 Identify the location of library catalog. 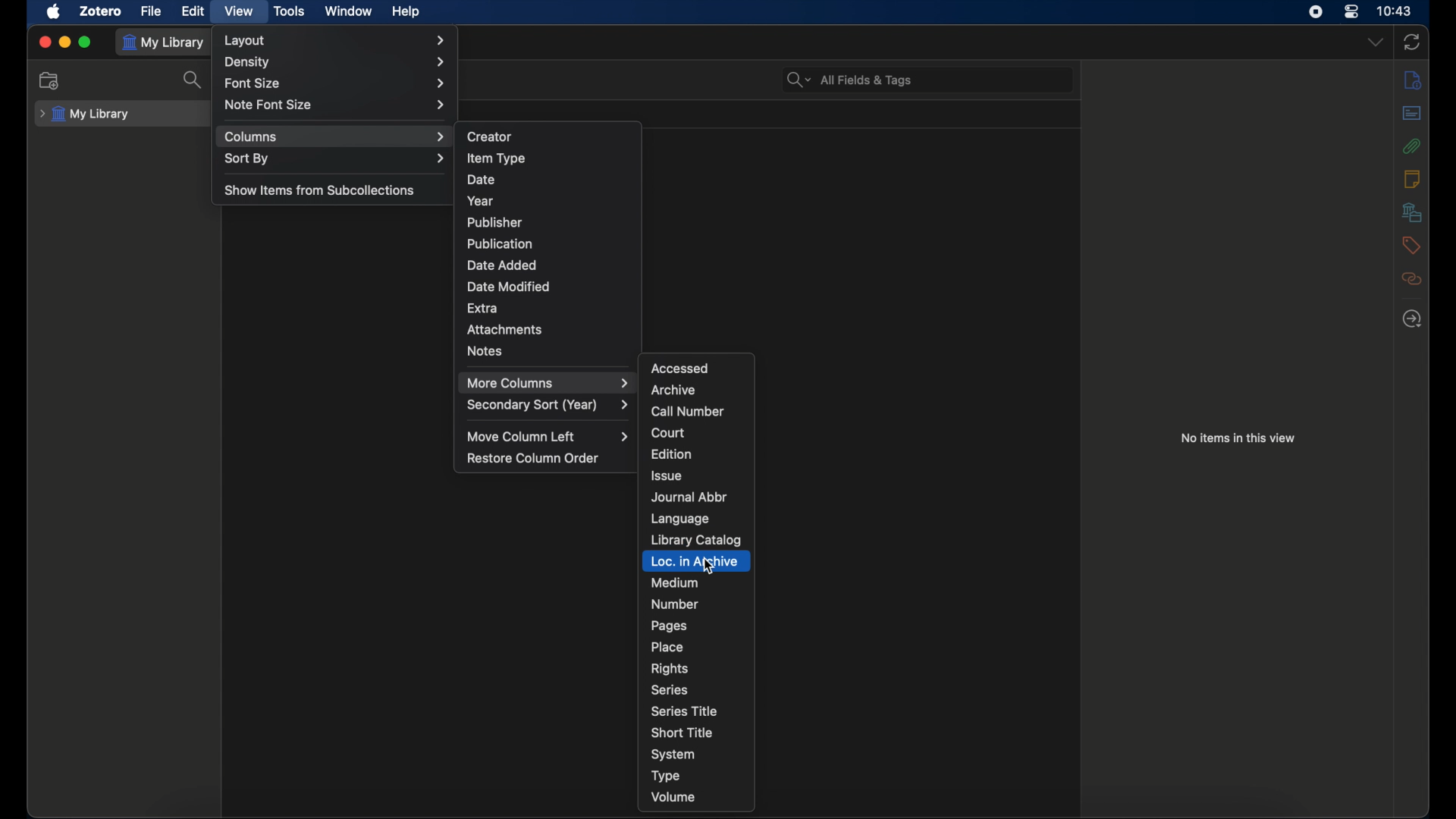
(696, 540).